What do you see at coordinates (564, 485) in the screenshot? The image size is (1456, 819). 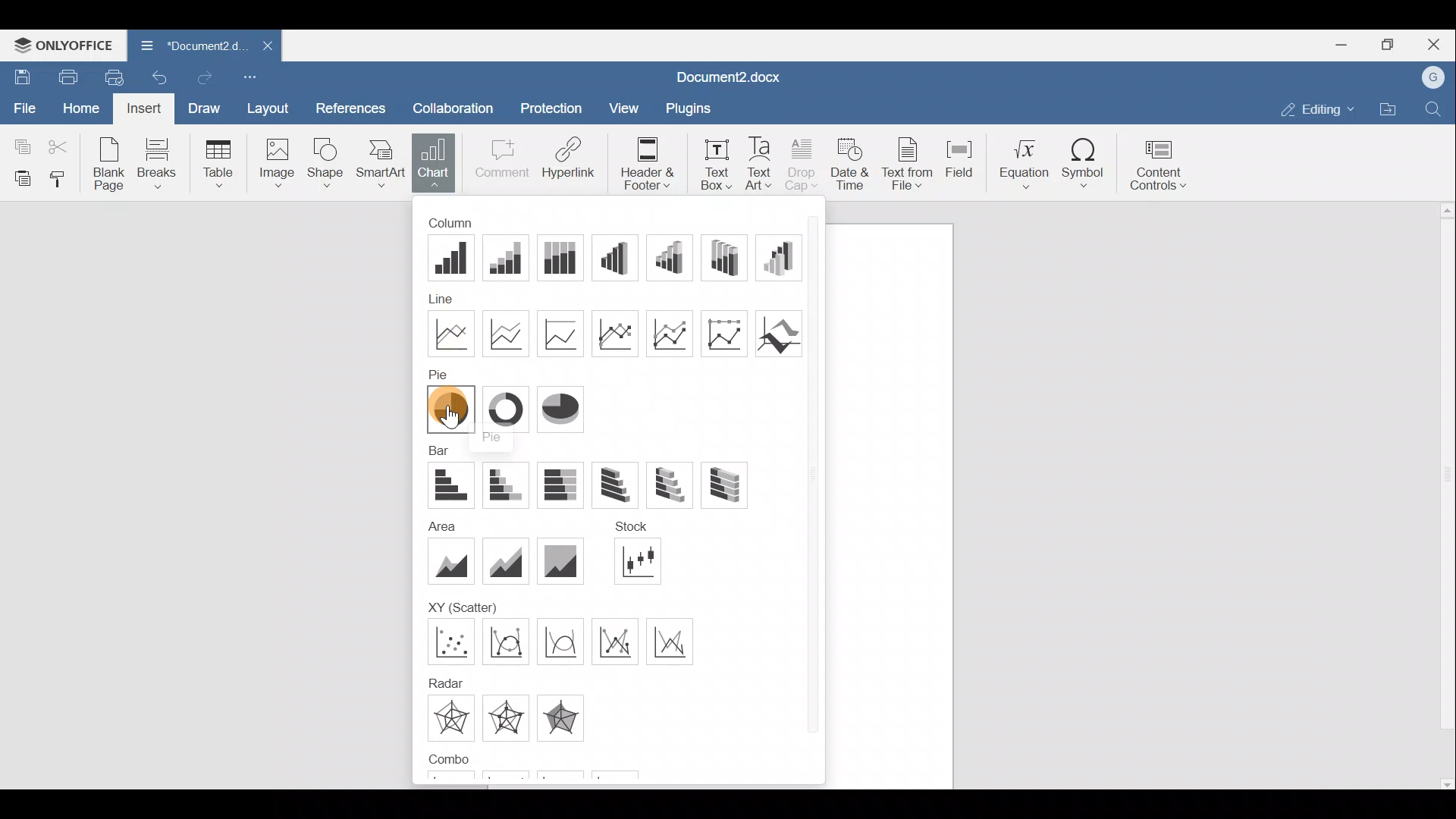 I see `100% Stacked bar` at bounding box center [564, 485].